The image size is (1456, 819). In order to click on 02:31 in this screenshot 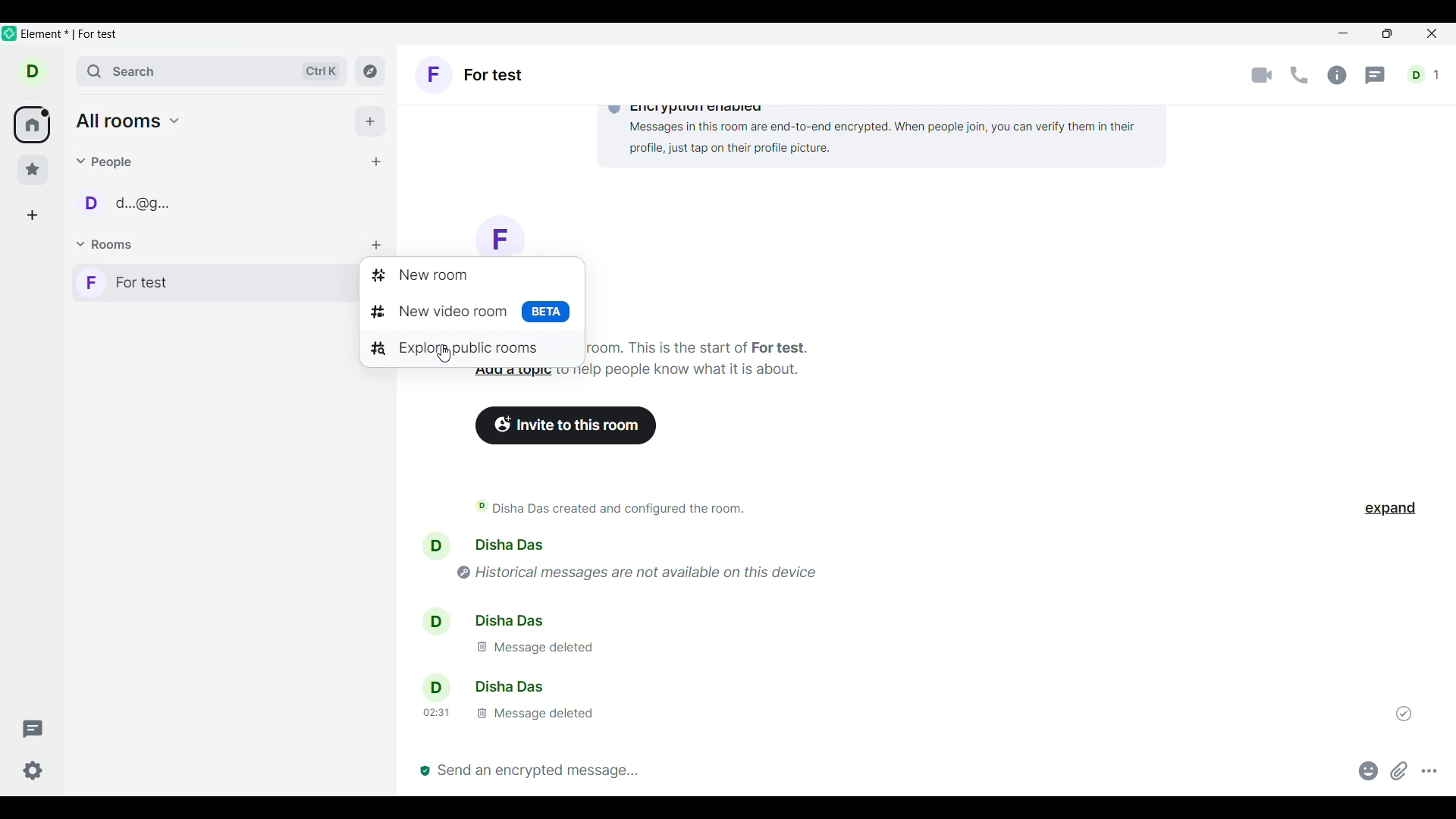, I will do `click(435, 713)`.